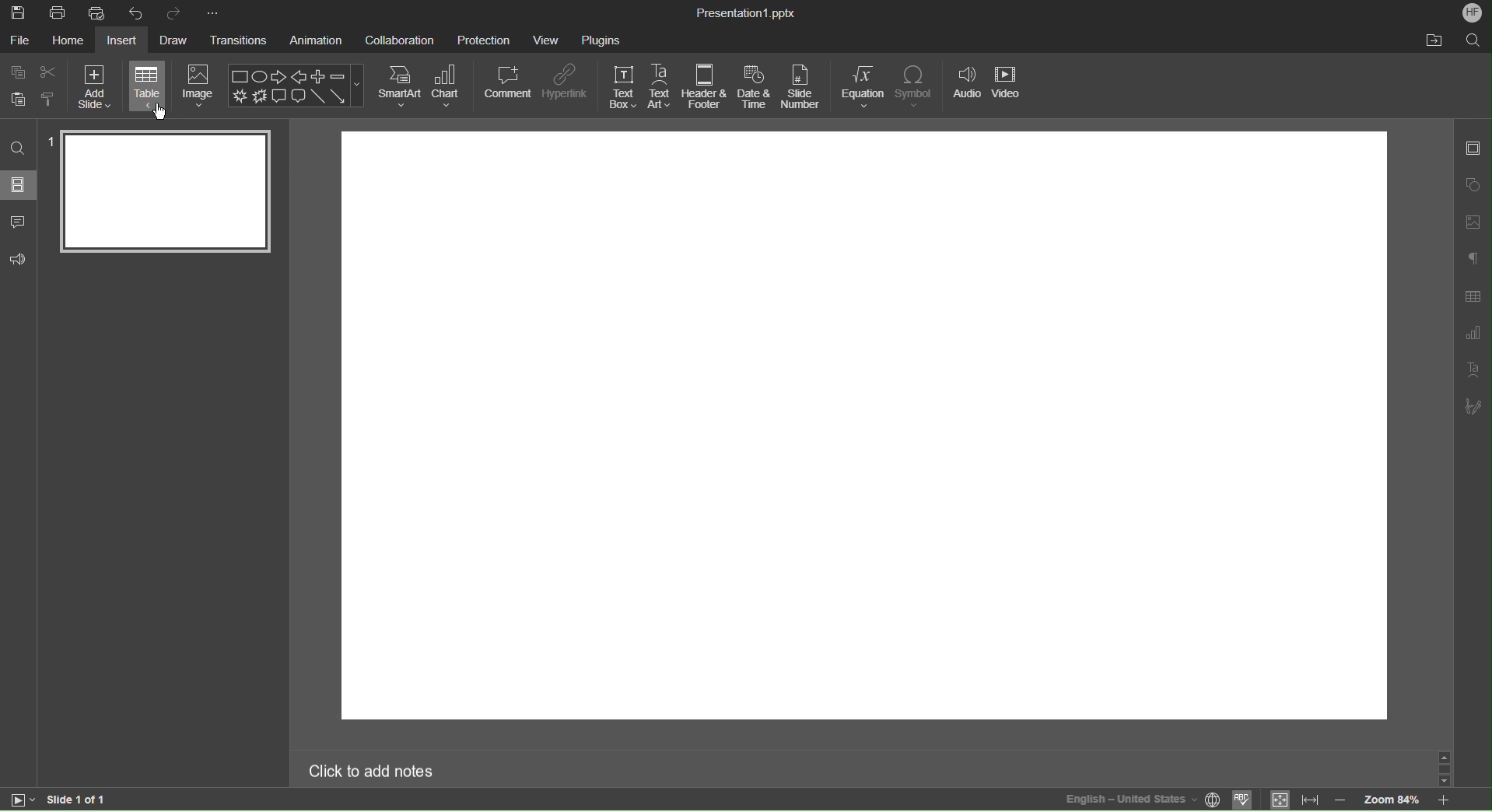 This screenshot has width=1492, height=812. What do you see at coordinates (71, 42) in the screenshot?
I see `Home` at bounding box center [71, 42].